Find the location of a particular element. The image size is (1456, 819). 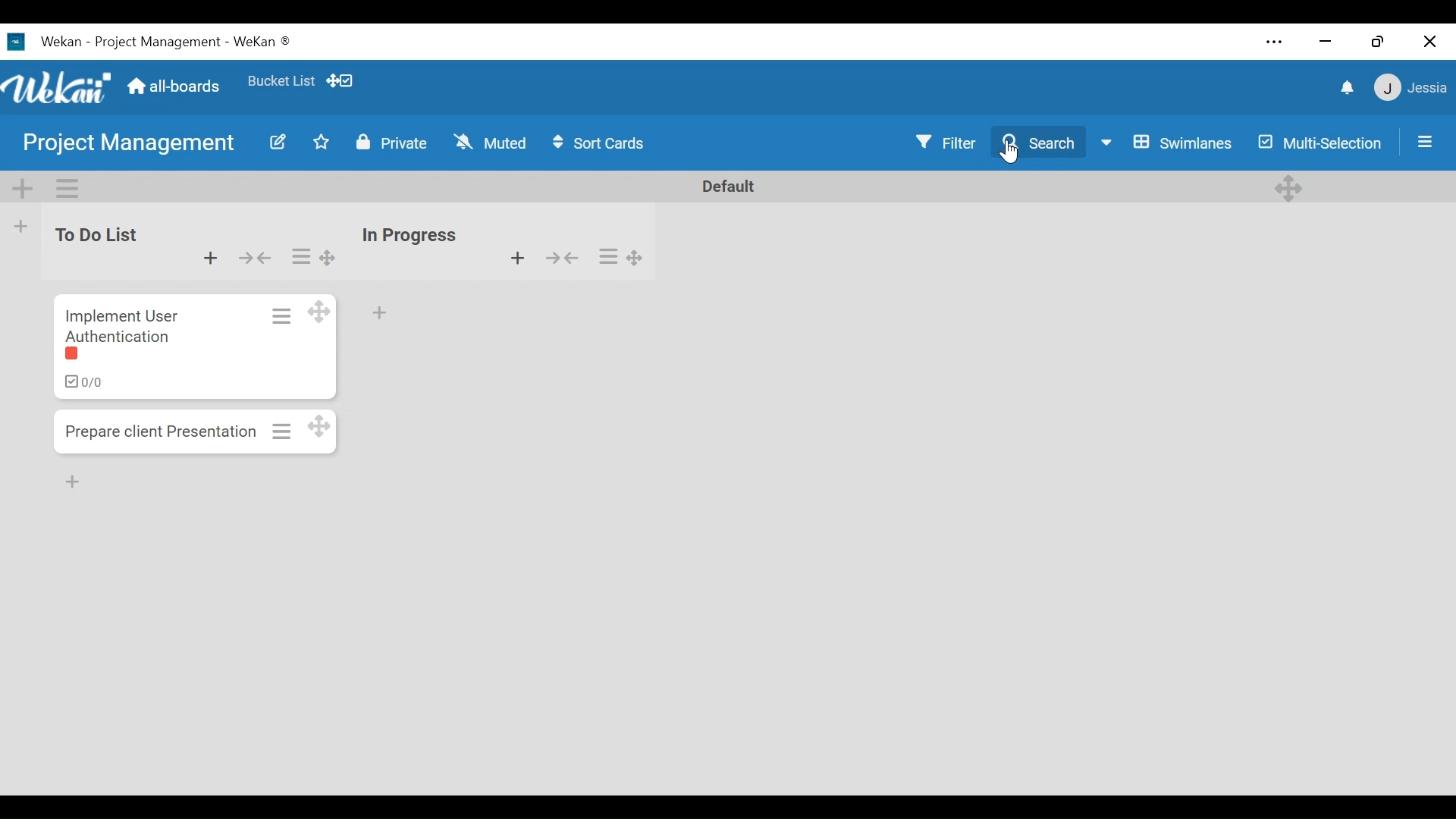

Card actions is located at coordinates (283, 430).